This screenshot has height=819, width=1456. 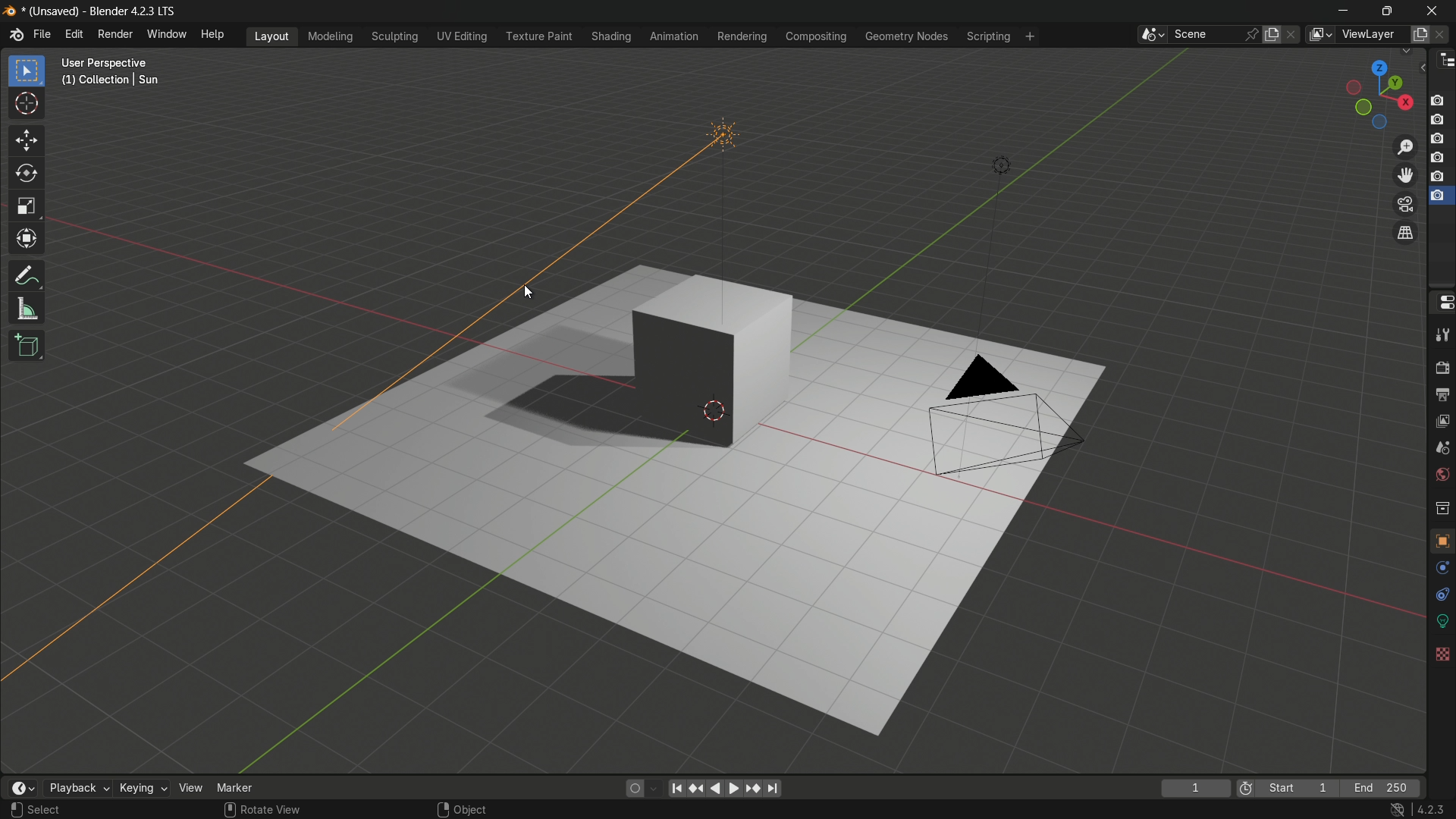 I want to click on jump to endpoint, so click(x=677, y=789).